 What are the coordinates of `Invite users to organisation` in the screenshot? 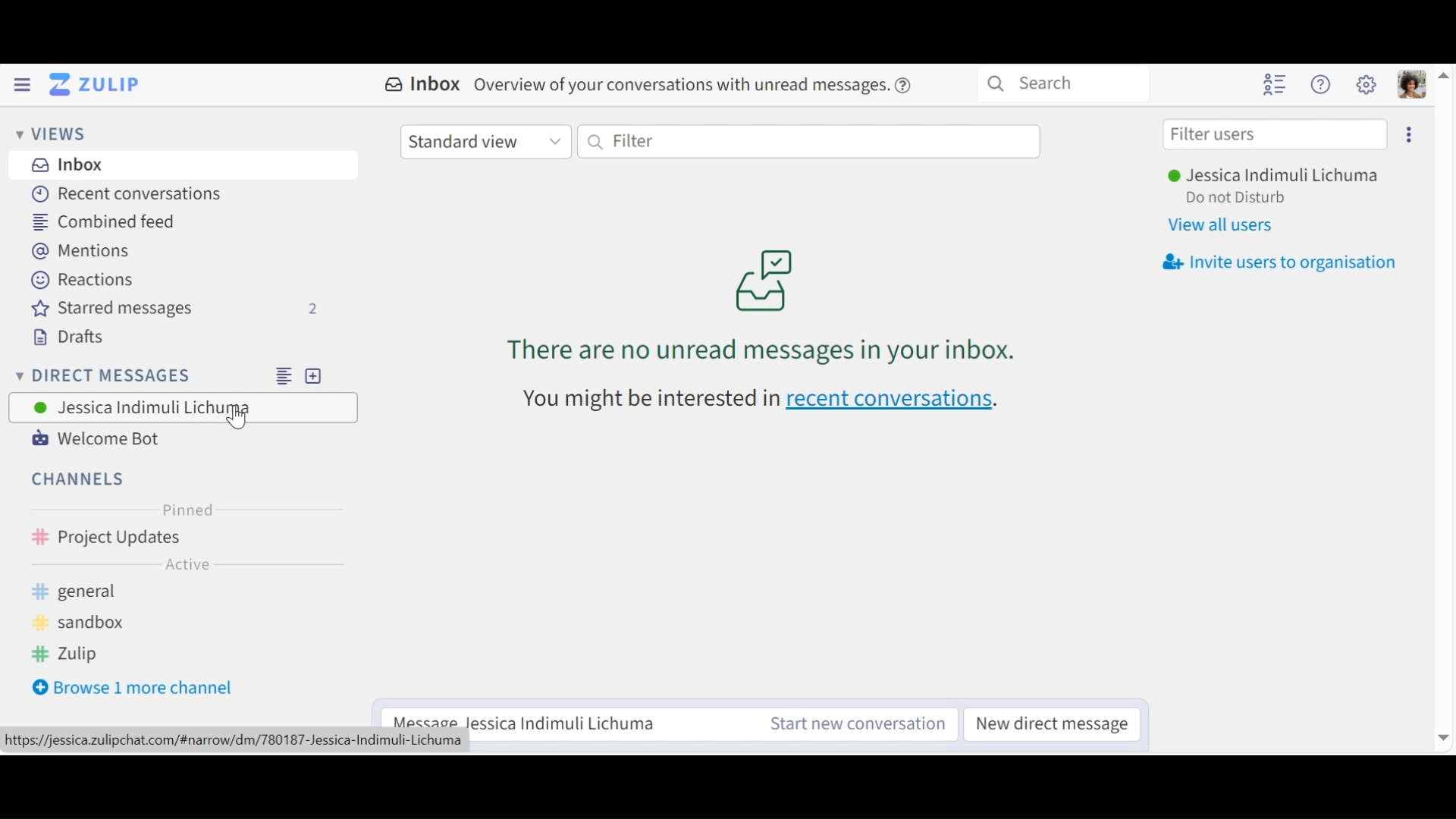 It's located at (1412, 132).